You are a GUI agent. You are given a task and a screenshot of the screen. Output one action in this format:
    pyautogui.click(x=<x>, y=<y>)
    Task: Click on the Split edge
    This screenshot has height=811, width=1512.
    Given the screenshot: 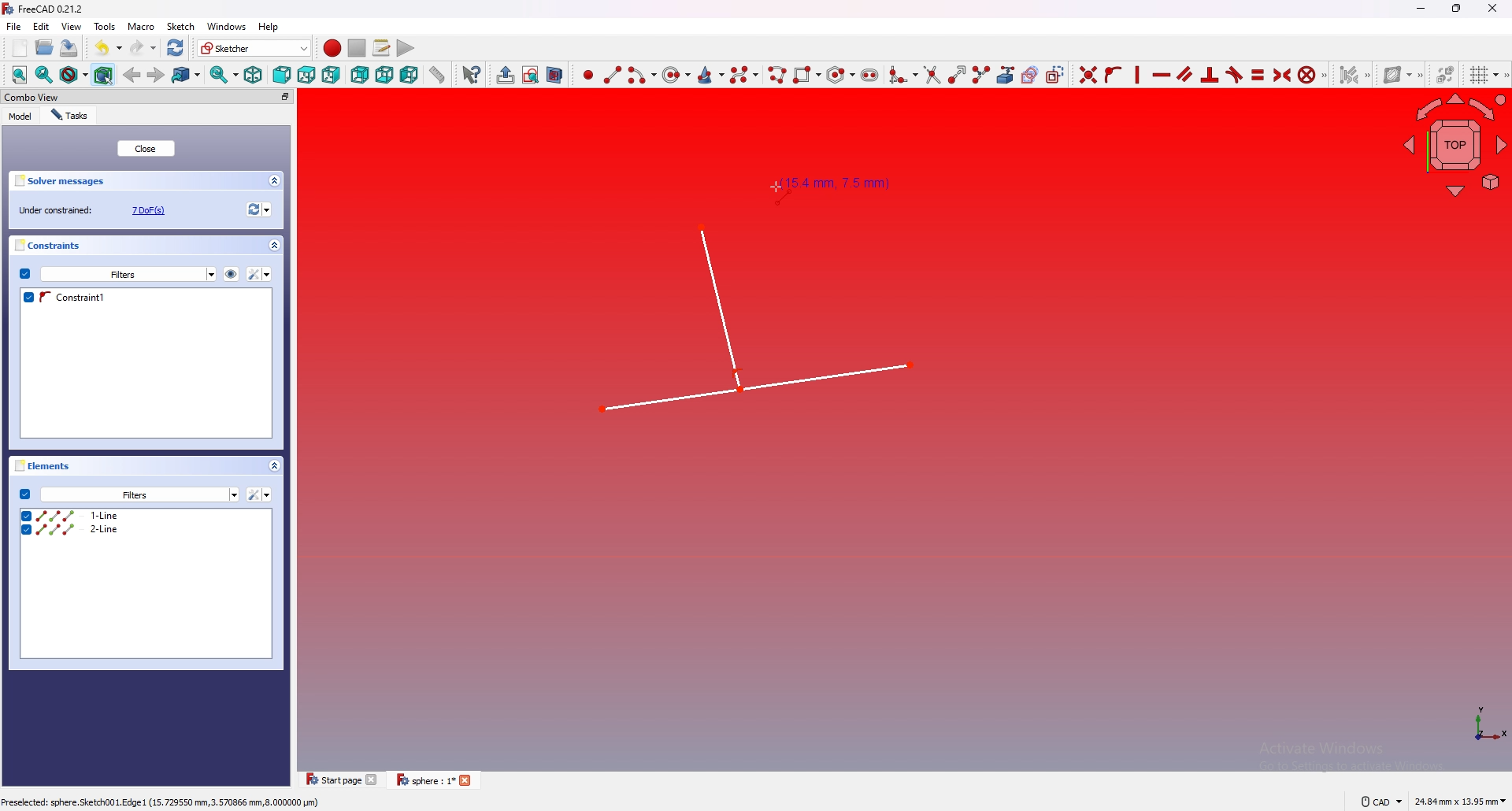 What is the action you would take?
    pyautogui.click(x=980, y=74)
    